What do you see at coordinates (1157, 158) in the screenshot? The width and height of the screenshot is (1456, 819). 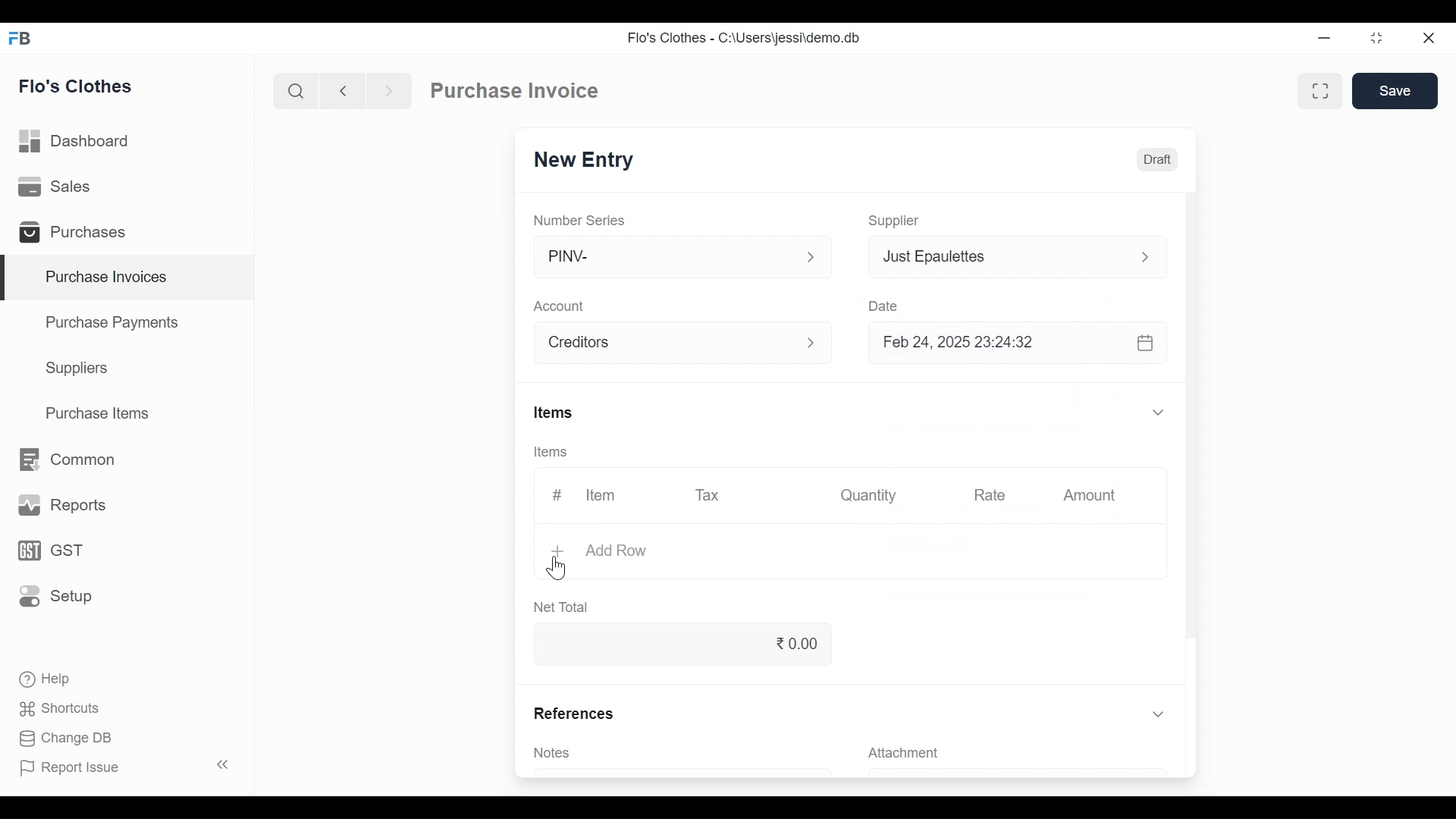 I see `Draft` at bounding box center [1157, 158].